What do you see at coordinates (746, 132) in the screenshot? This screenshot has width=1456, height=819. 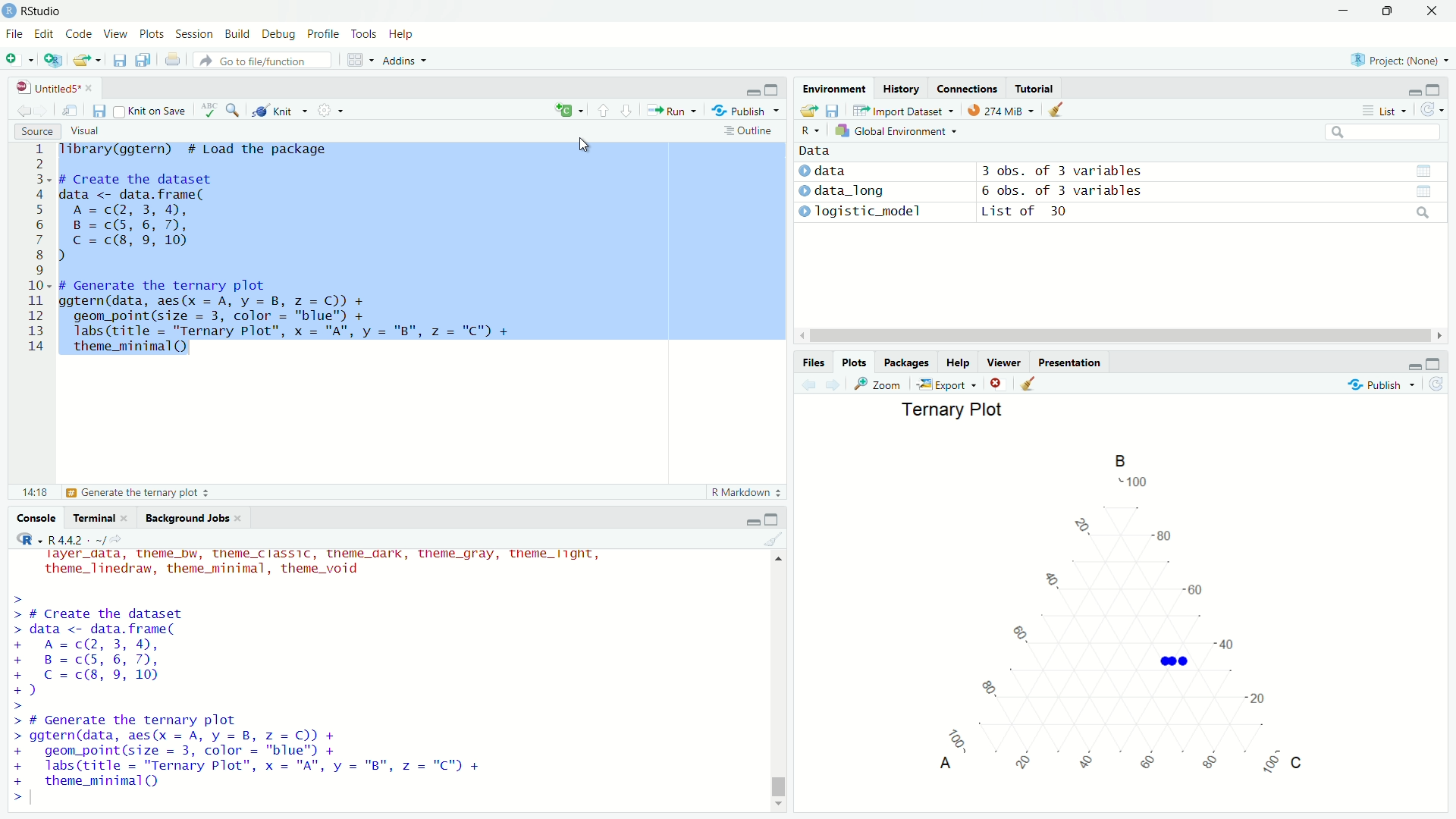 I see `: Outline` at bounding box center [746, 132].